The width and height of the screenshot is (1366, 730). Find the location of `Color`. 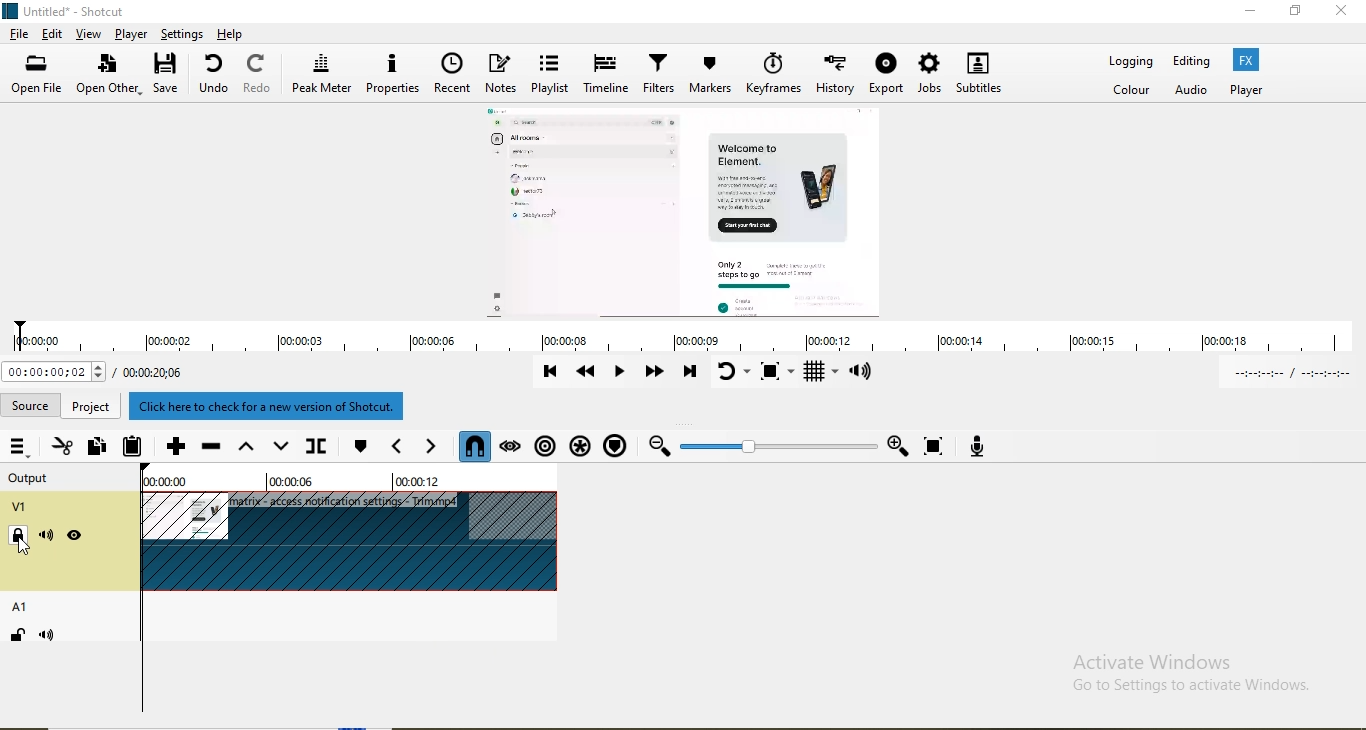

Color is located at coordinates (1132, 89).